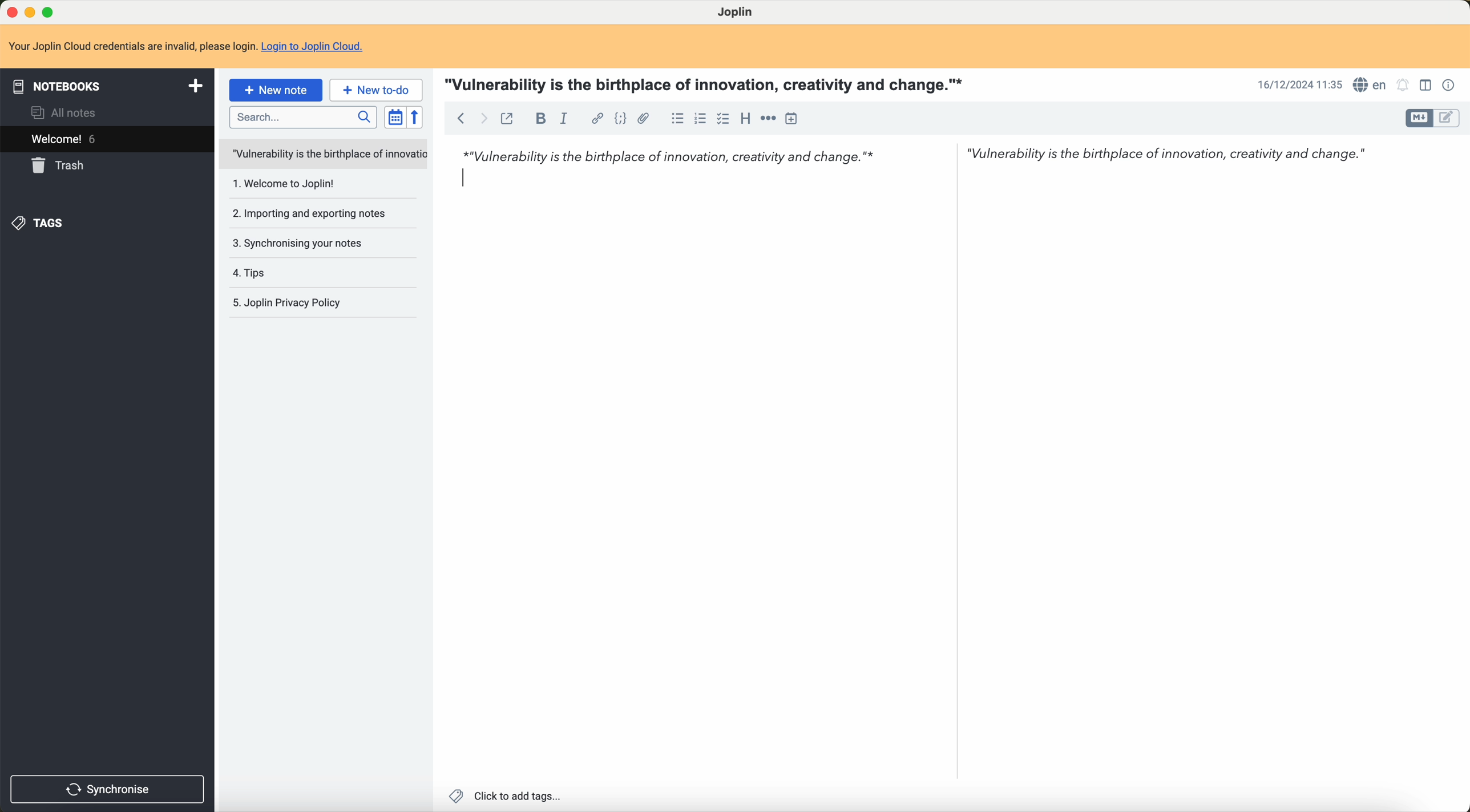 The height and width of the screenshot is (812, 1470). What do you see at coordinates (393, 118) in the screenshot?
I see `toggle sort order field` at bounding box center [393, 118].